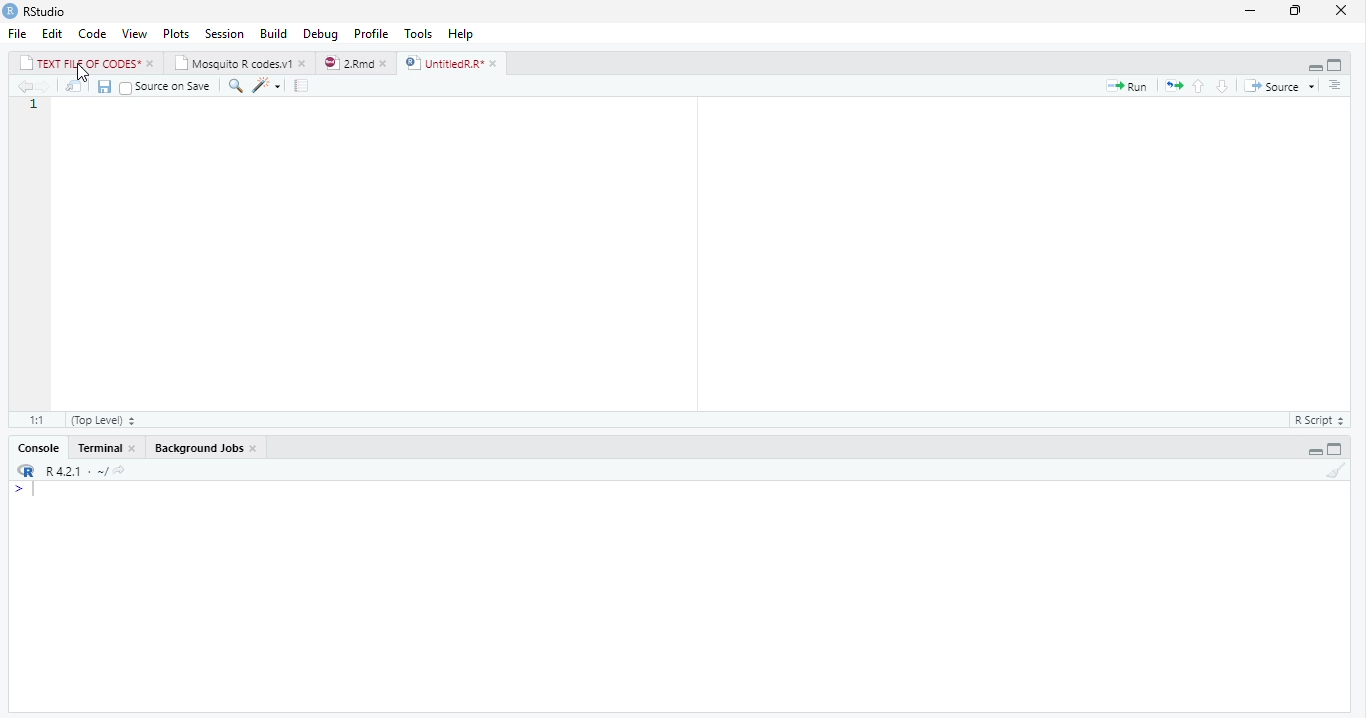 This screenshot has height=718, width=1366. What do you see at coordinates (1346, 10) in the screenshot?
I see `close` at bounding box center [1346, 10].